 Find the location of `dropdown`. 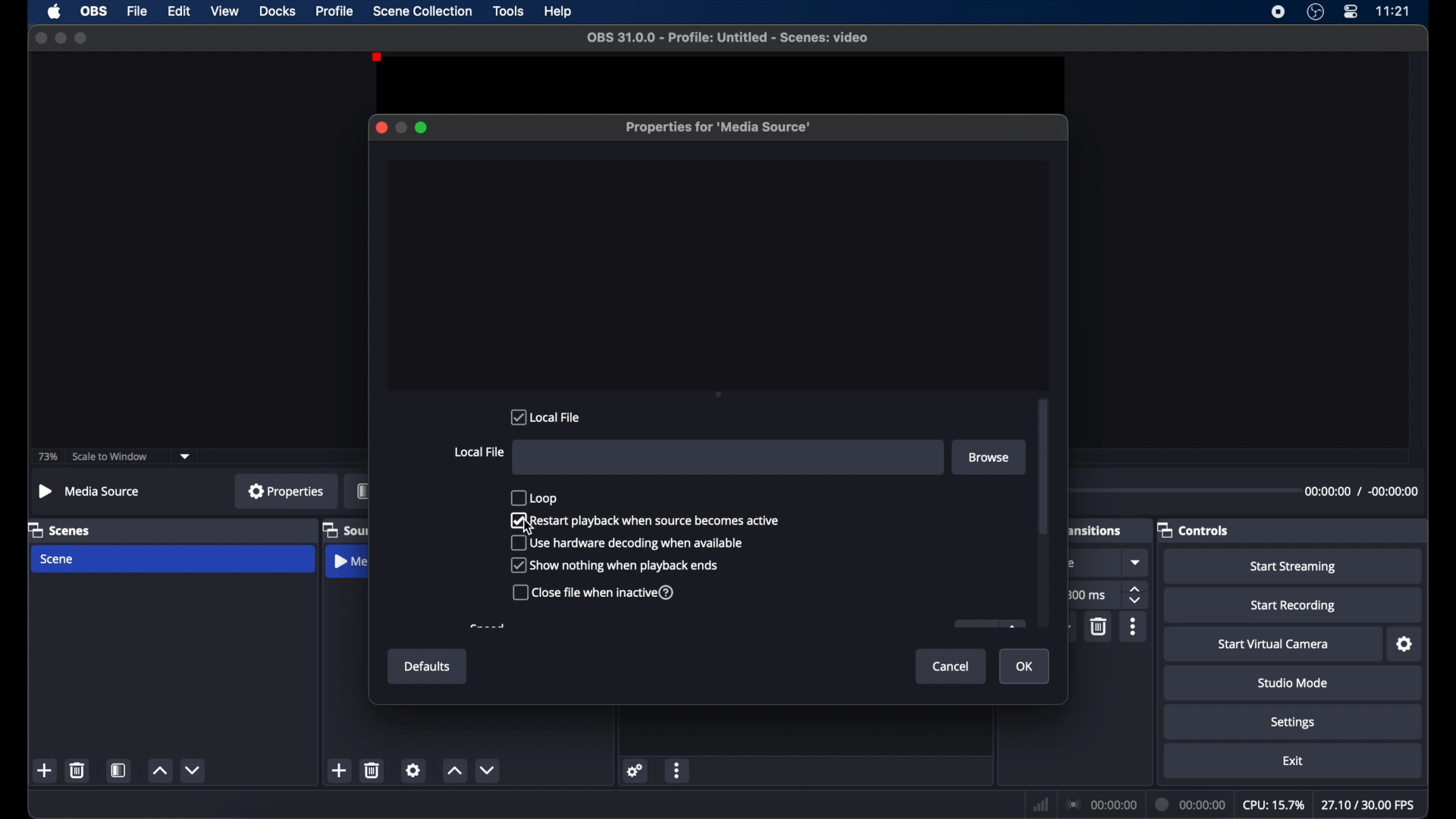

dropdown is located at coordinates (185, 457).